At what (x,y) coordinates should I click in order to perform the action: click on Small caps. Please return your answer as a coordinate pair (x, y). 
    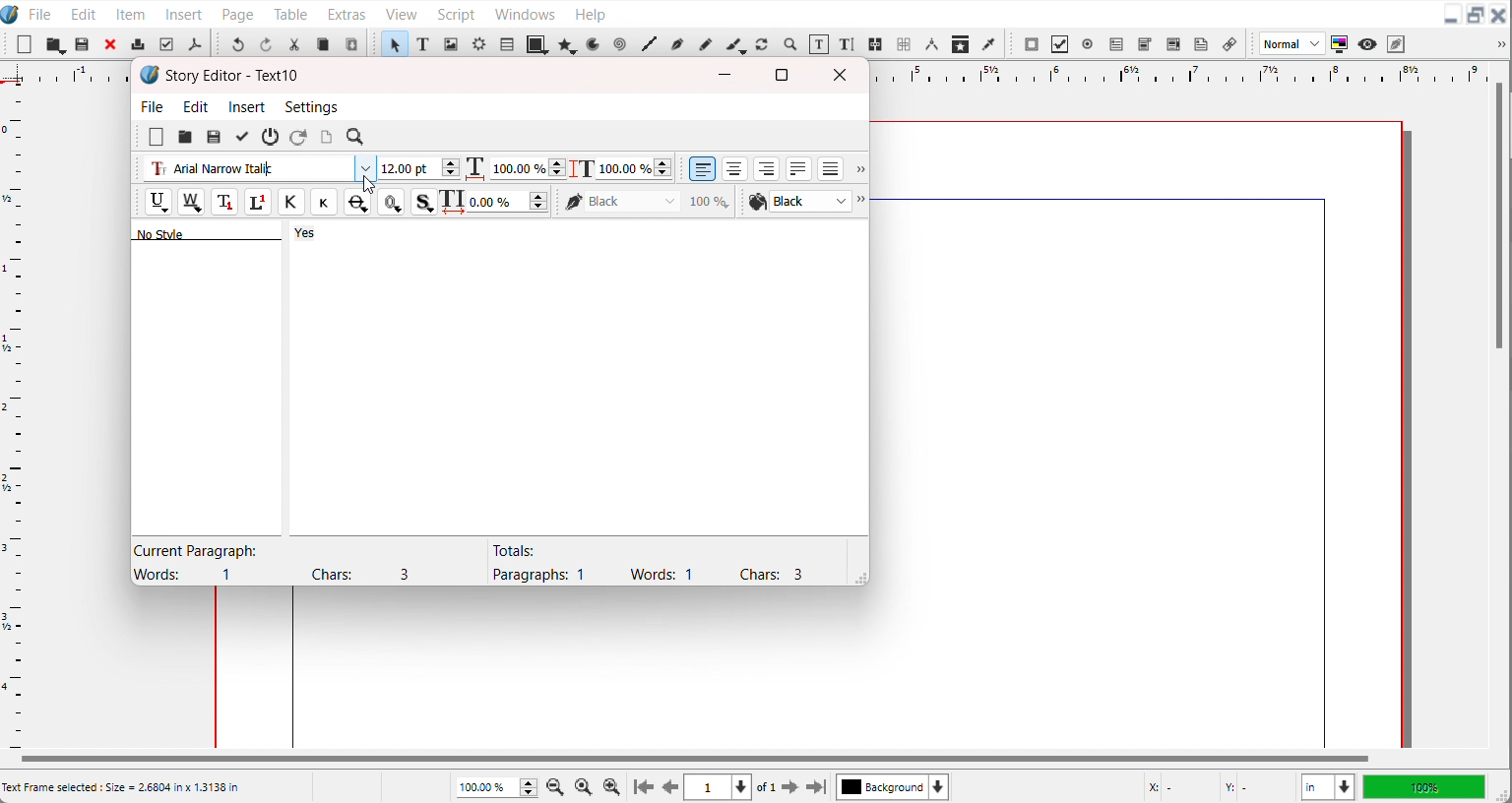
    Looking at the image, I should click on (323, 201).